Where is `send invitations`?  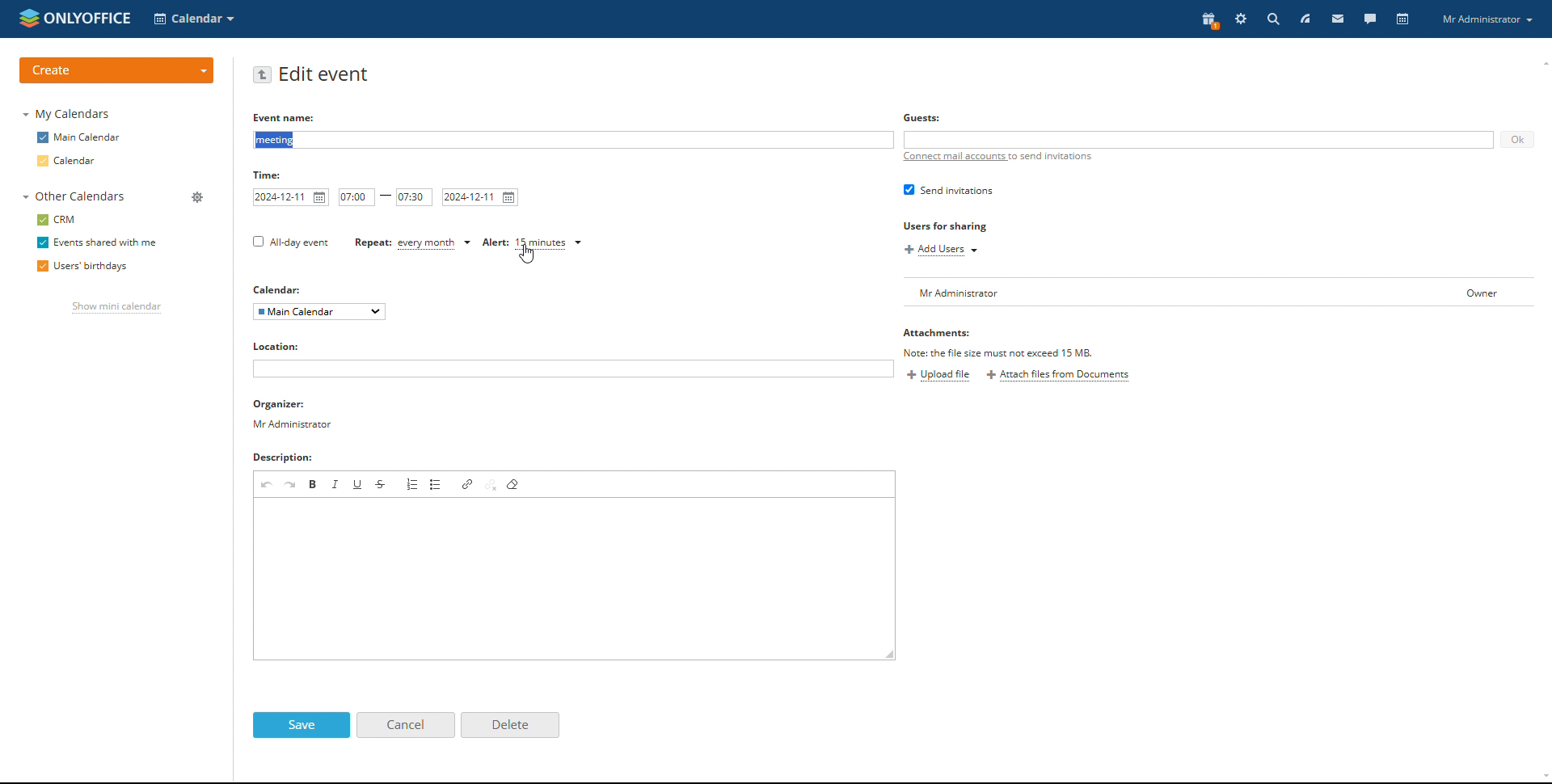 send invitations is located at coordinates (947, 191).